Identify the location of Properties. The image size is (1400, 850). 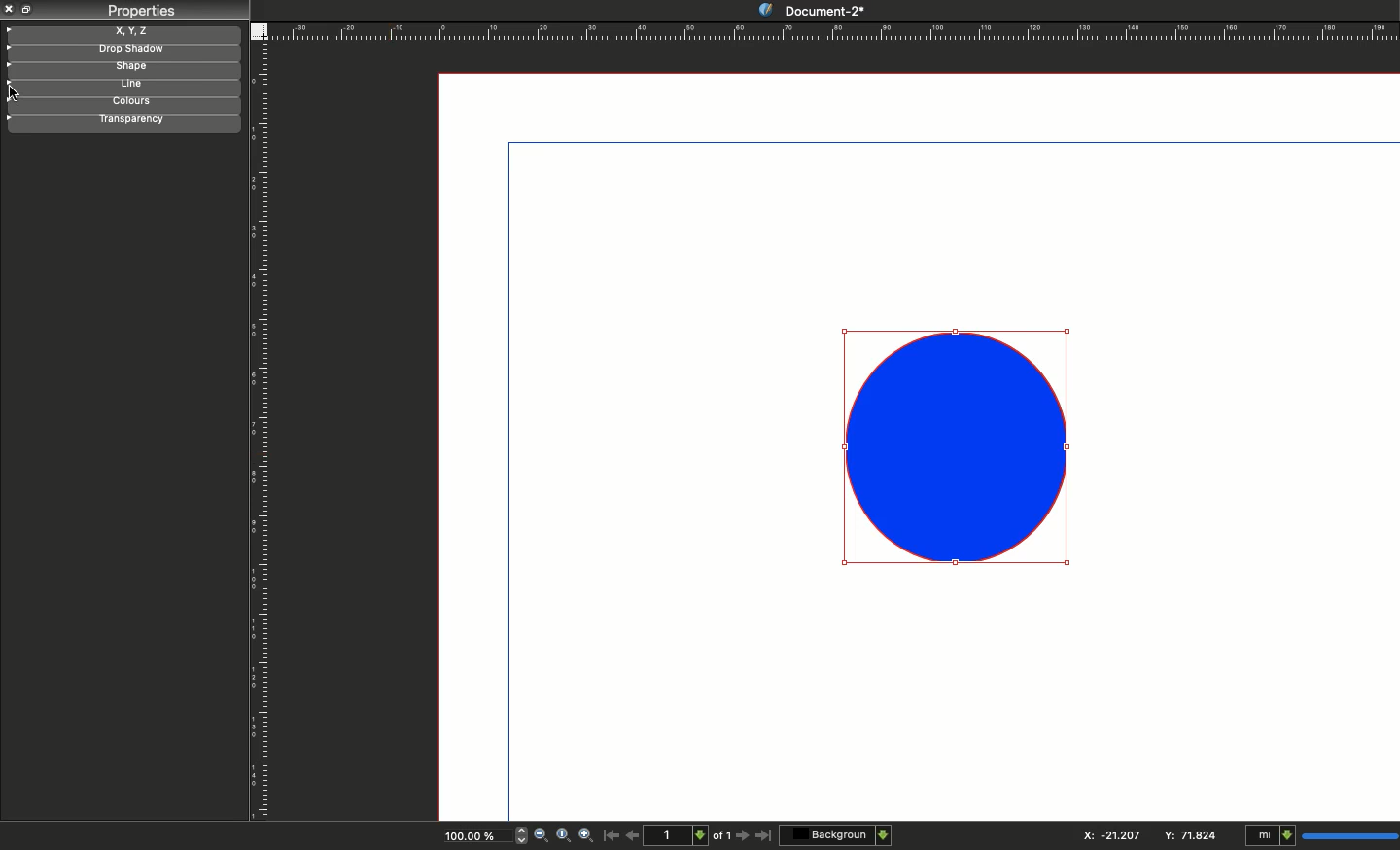
(140, 11).